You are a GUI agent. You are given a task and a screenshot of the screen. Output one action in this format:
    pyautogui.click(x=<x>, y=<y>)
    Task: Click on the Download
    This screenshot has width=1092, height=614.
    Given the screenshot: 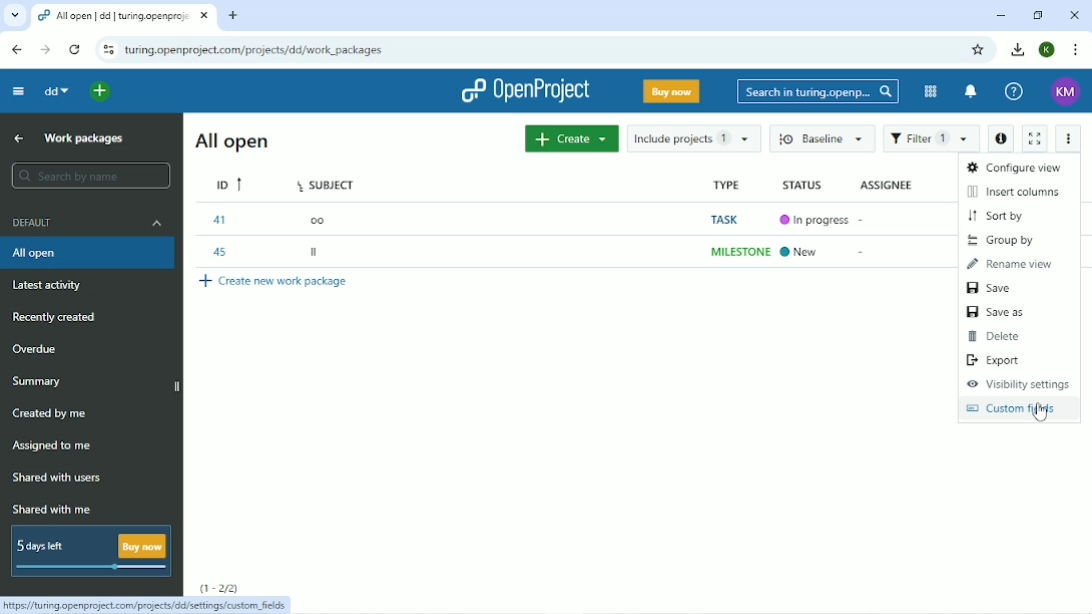 What is the action you would take?
    pyautogui.click(x=1016, y=49)
    